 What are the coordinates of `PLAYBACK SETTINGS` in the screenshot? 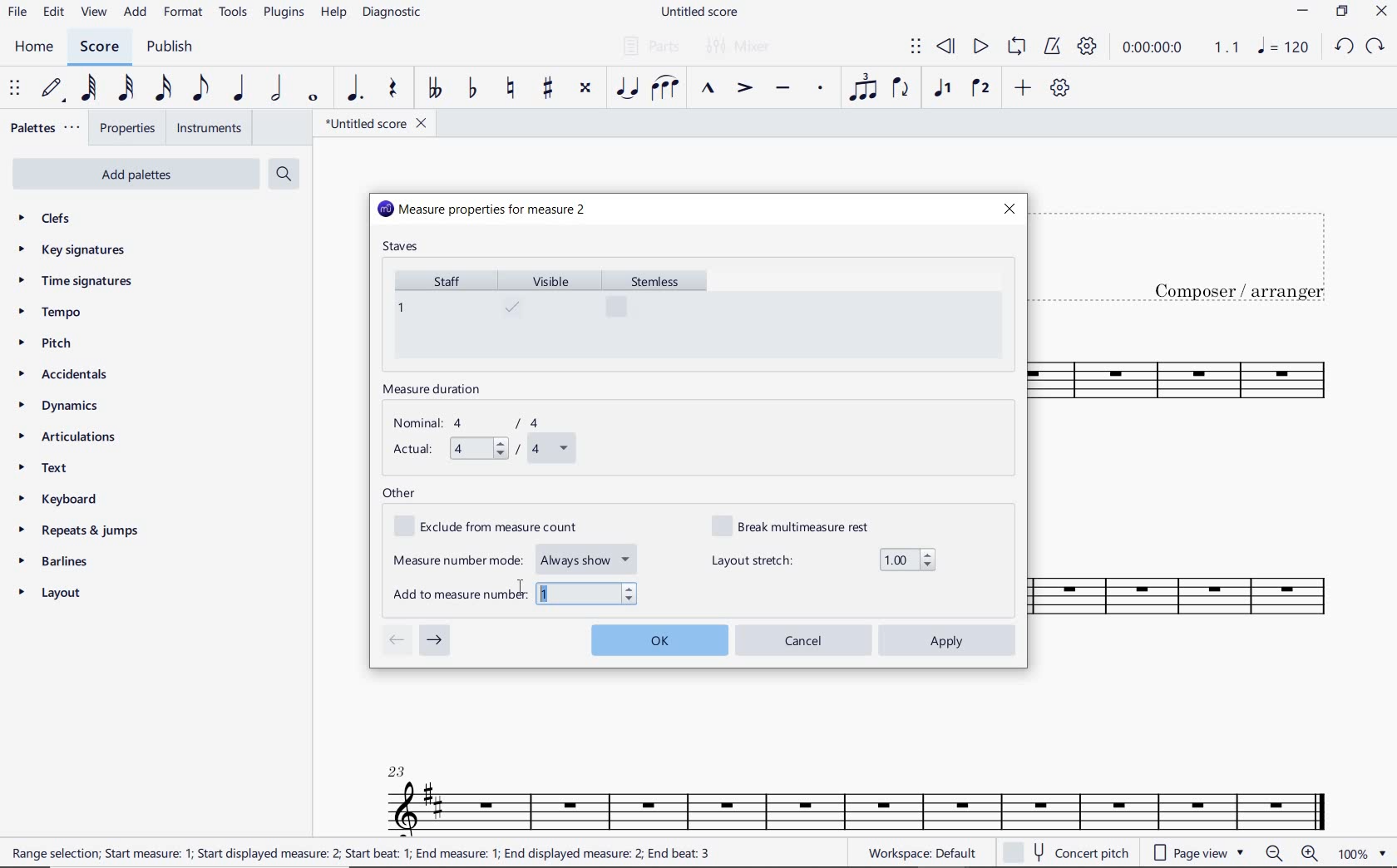 It's located at (1087, 47).